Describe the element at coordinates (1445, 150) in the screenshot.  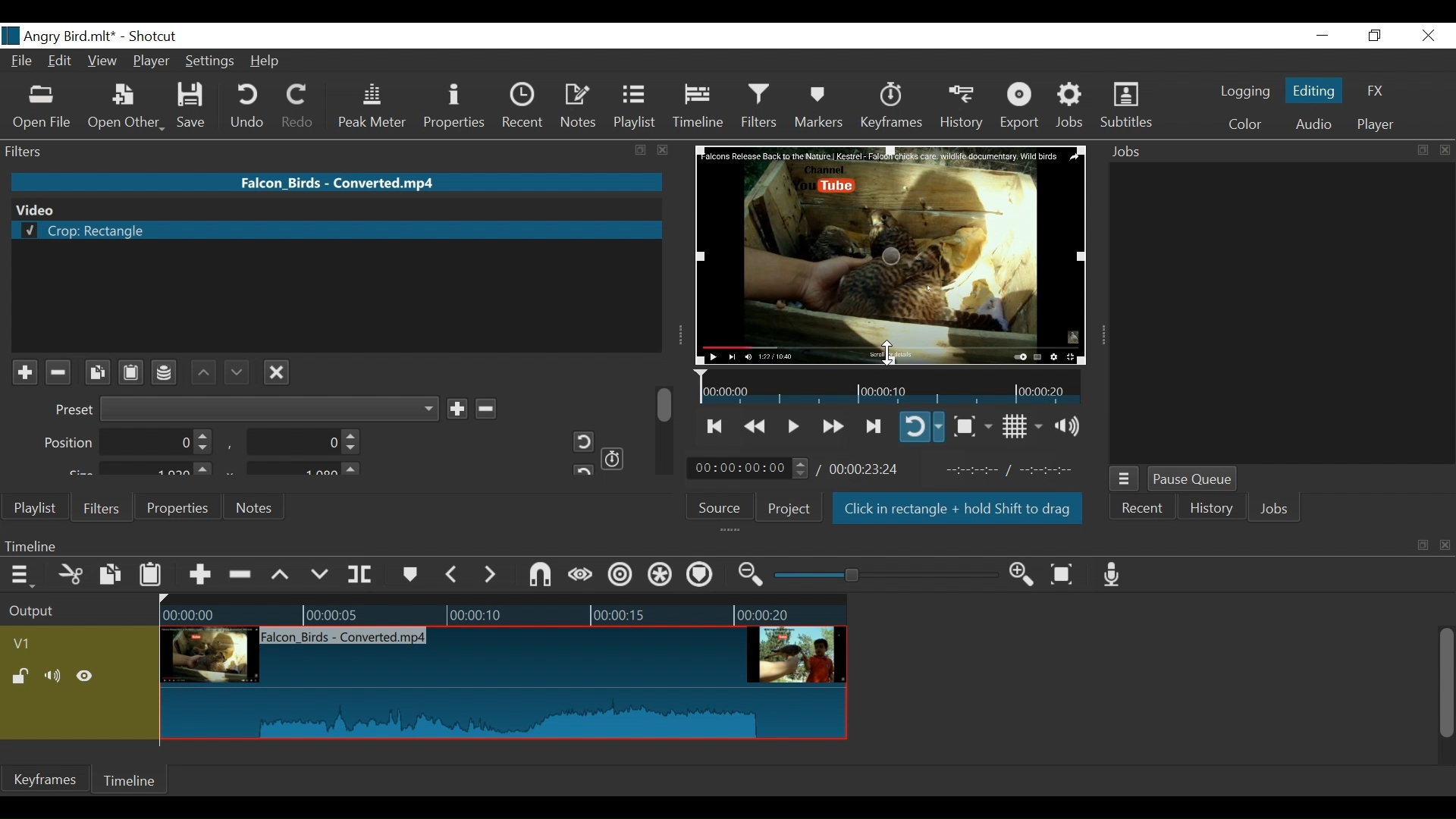
I see `close` at that location.